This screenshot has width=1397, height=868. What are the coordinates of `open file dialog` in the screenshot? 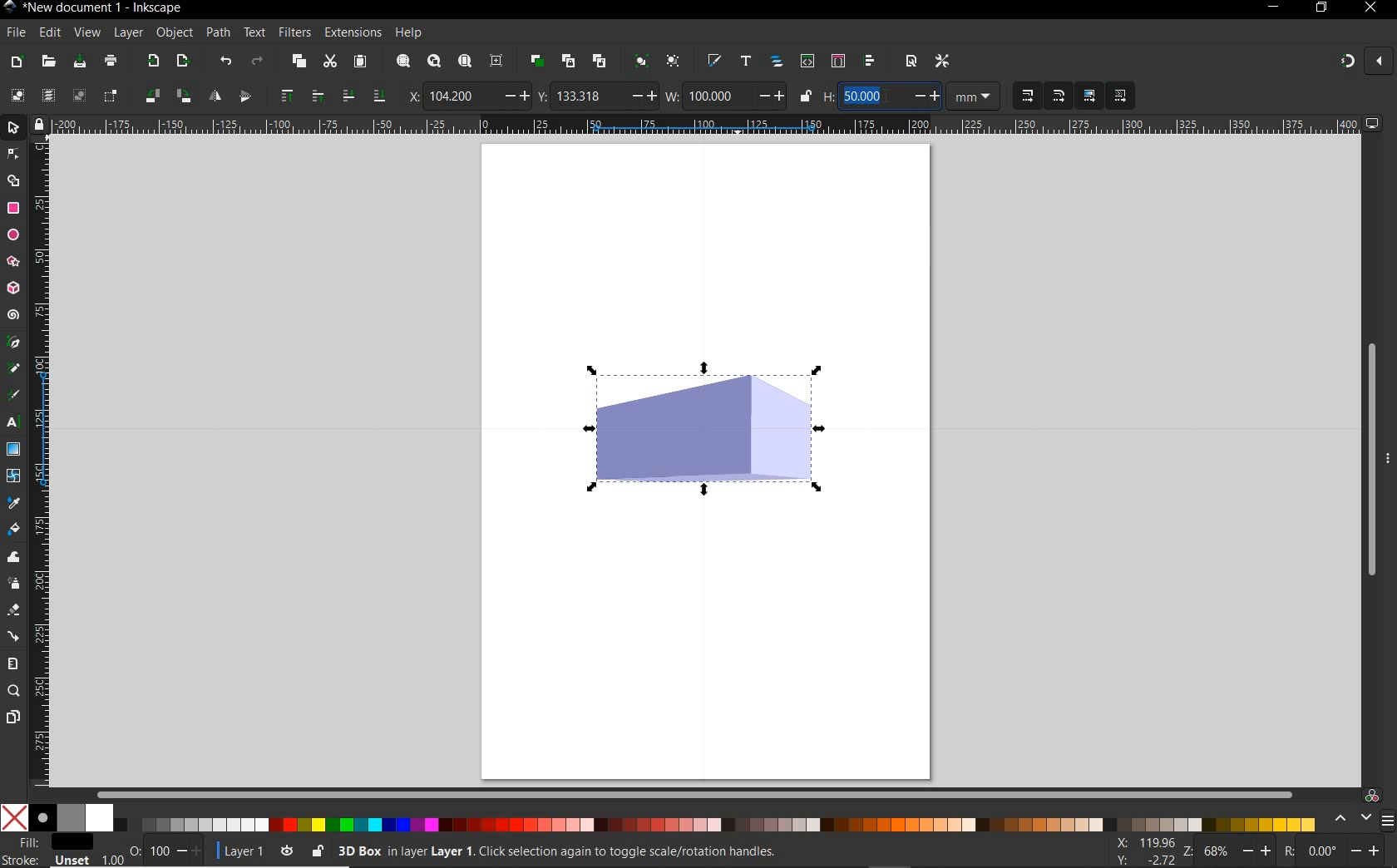 It's located at (47, 62).